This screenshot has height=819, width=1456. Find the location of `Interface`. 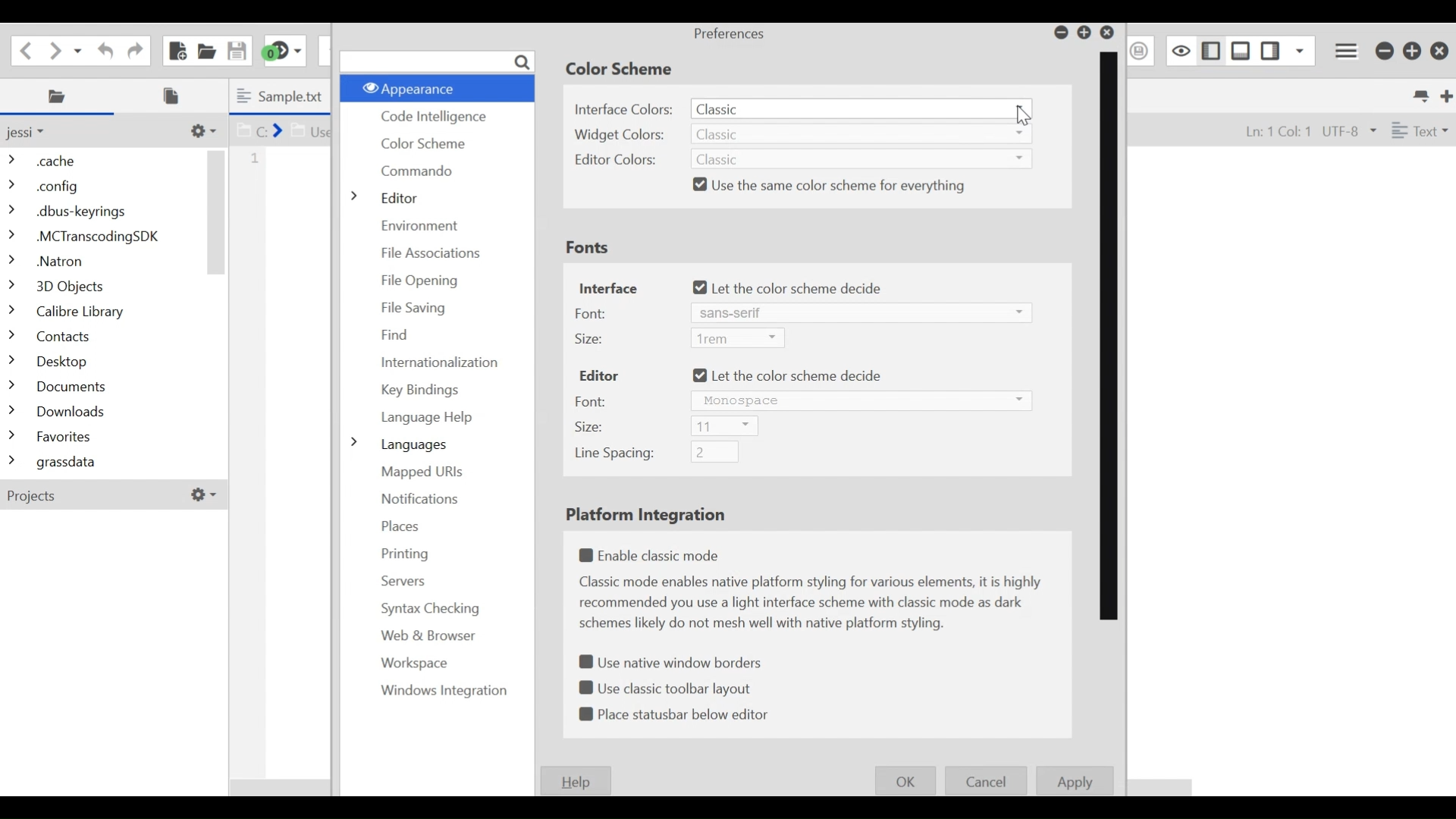

Interface is located at coordinates (609, 287).